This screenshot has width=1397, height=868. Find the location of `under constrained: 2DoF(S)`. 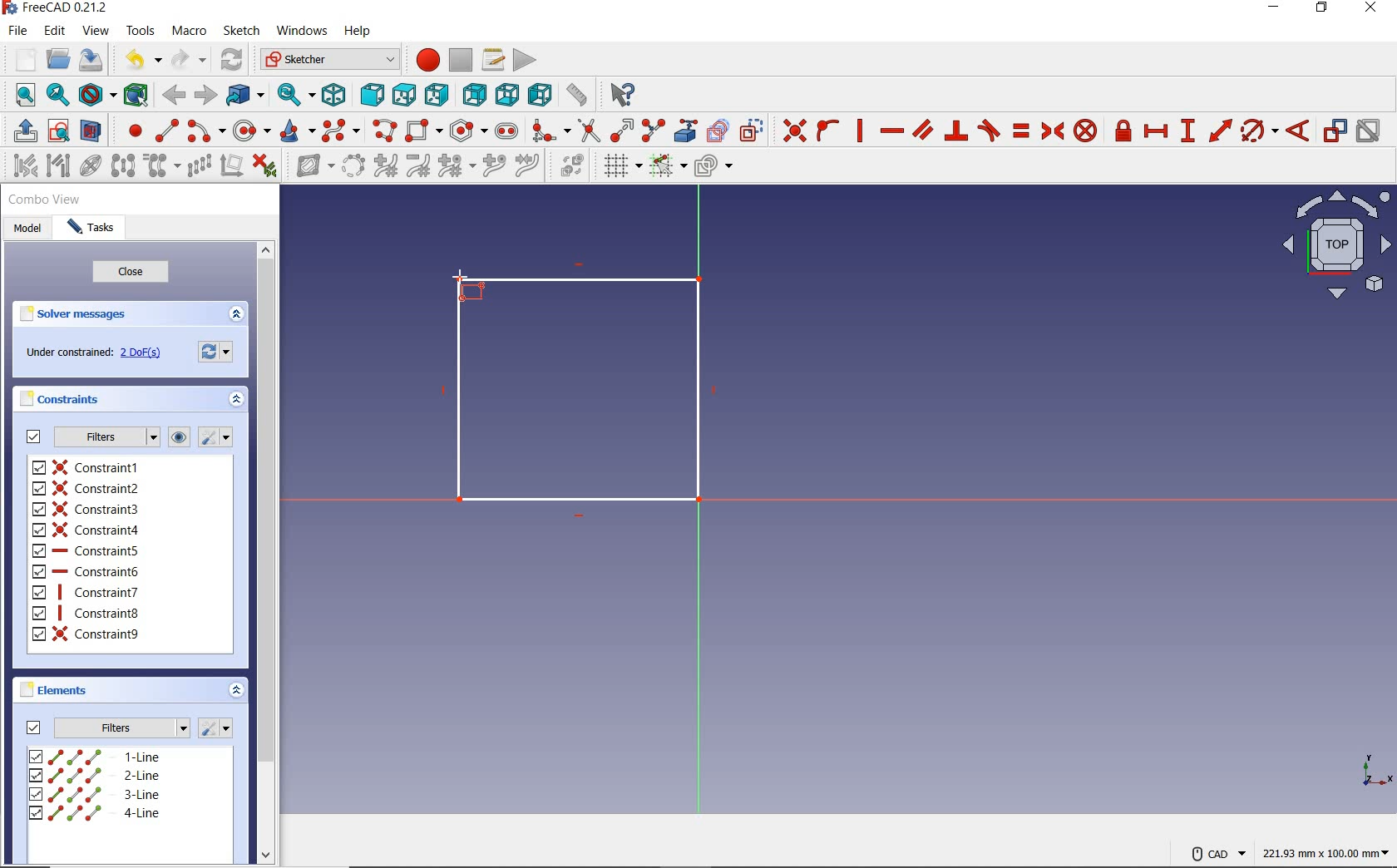

under constrained: 2DoF(S) is located at coordinates (91, 355).